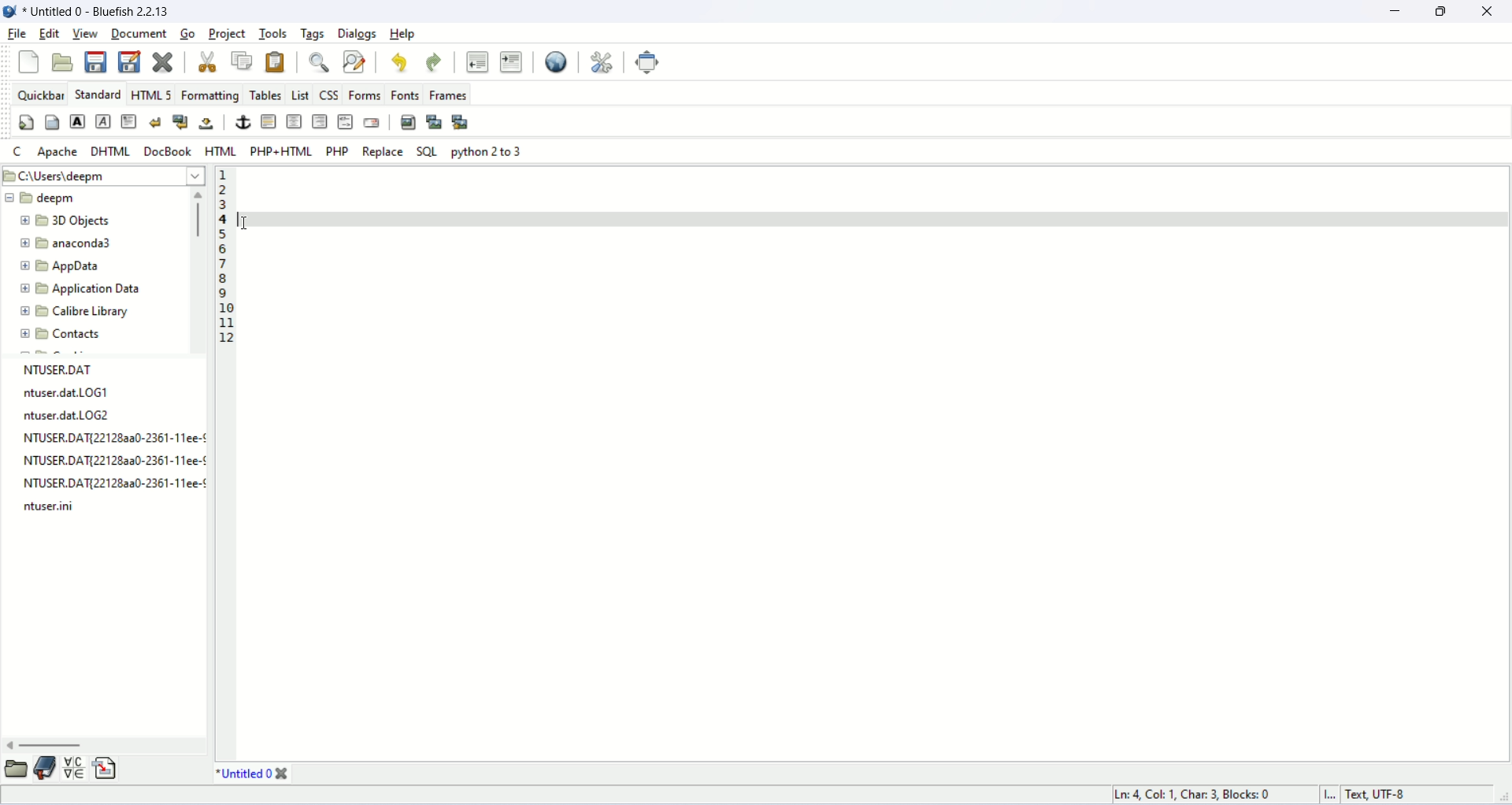 The width and height of the screenshot is (1512, 805). What do you see at coordinates (276, 62) in the screenshot?
I see `paste` at bounding box center [276, 62].